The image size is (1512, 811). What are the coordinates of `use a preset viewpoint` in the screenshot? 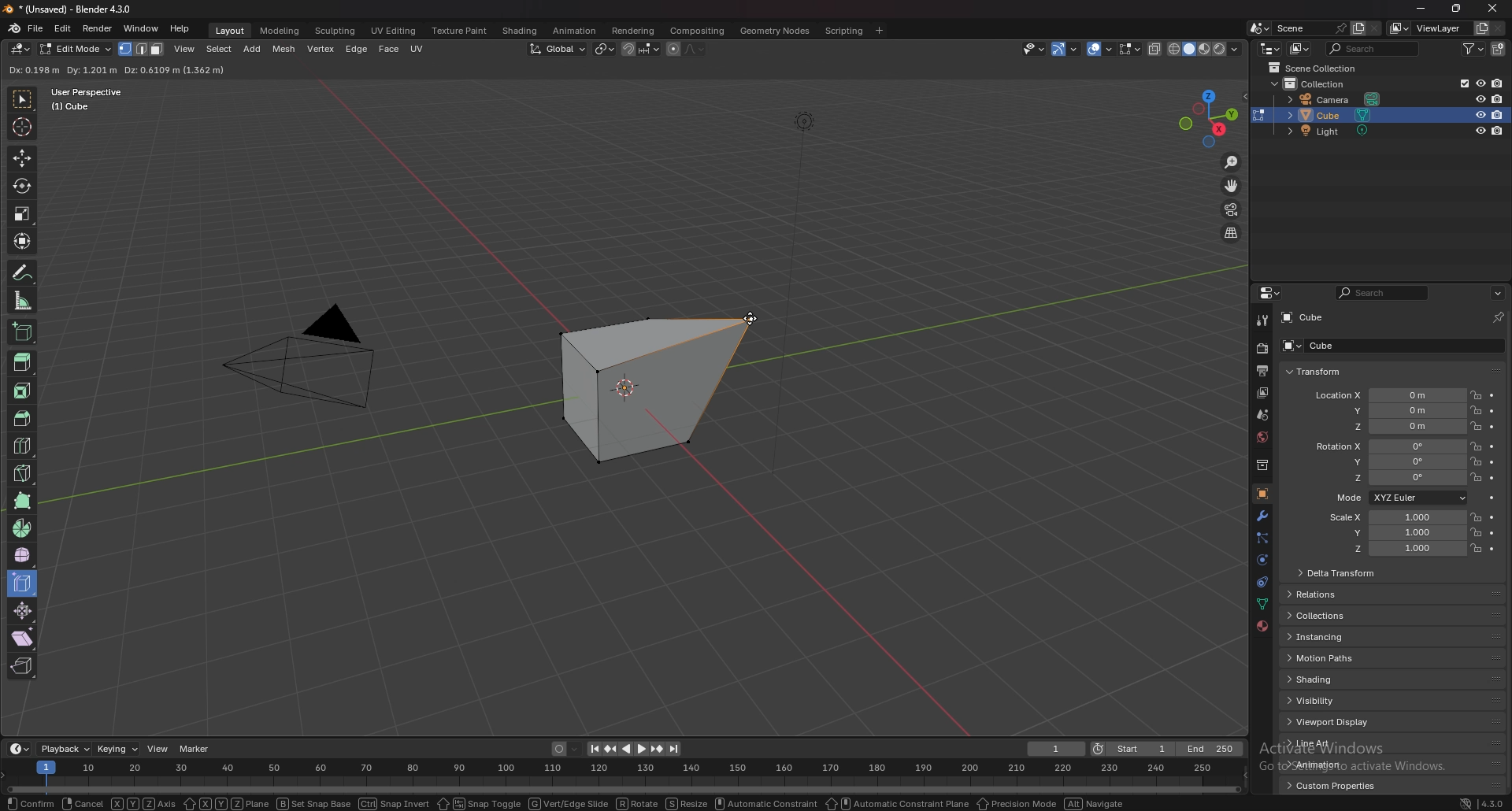 It's located at (1209, 118).